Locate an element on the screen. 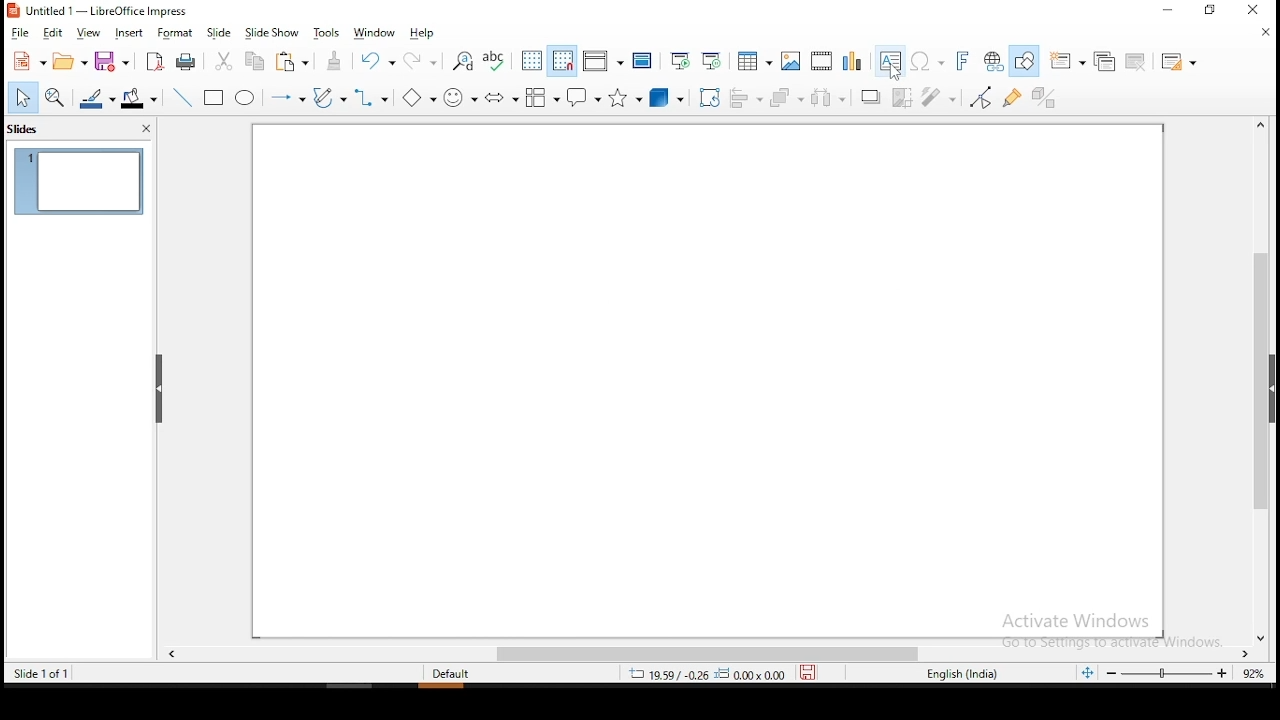  align objects is located at coordinates (746, 95).